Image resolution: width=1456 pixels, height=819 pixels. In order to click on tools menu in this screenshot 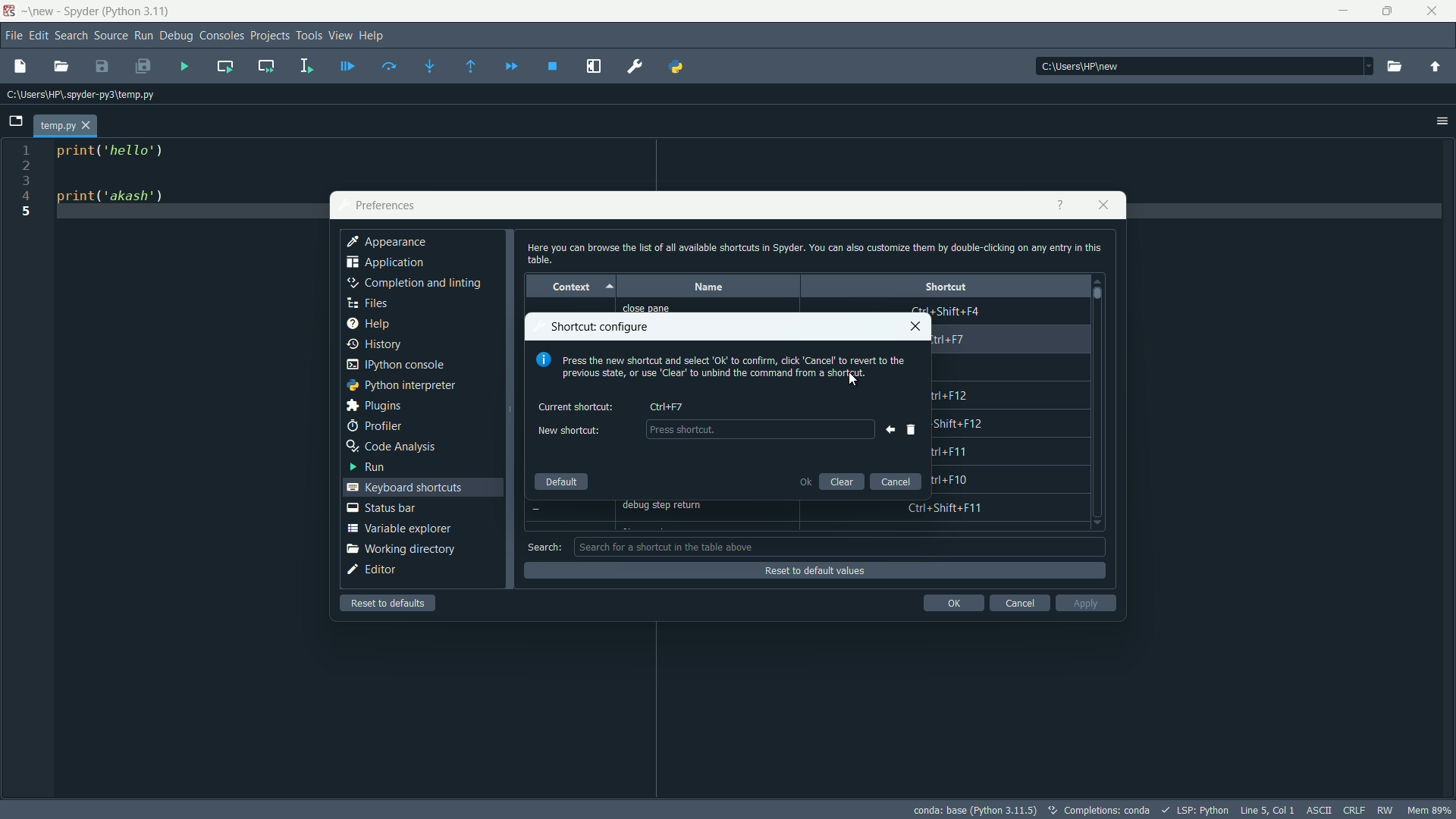, I will do `click(309, 36)`.